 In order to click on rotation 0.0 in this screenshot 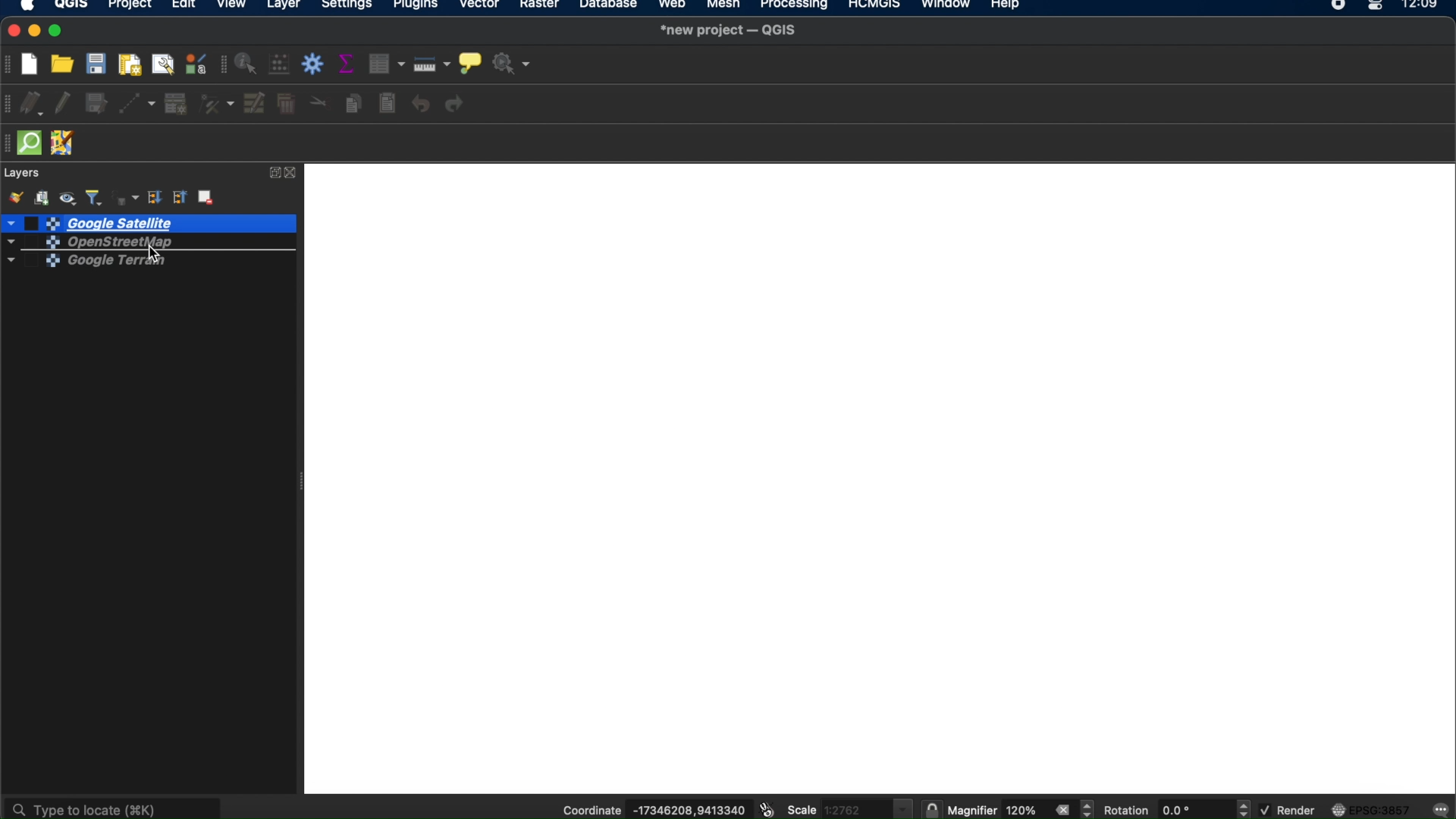, I will do `click(1156, 810)`.